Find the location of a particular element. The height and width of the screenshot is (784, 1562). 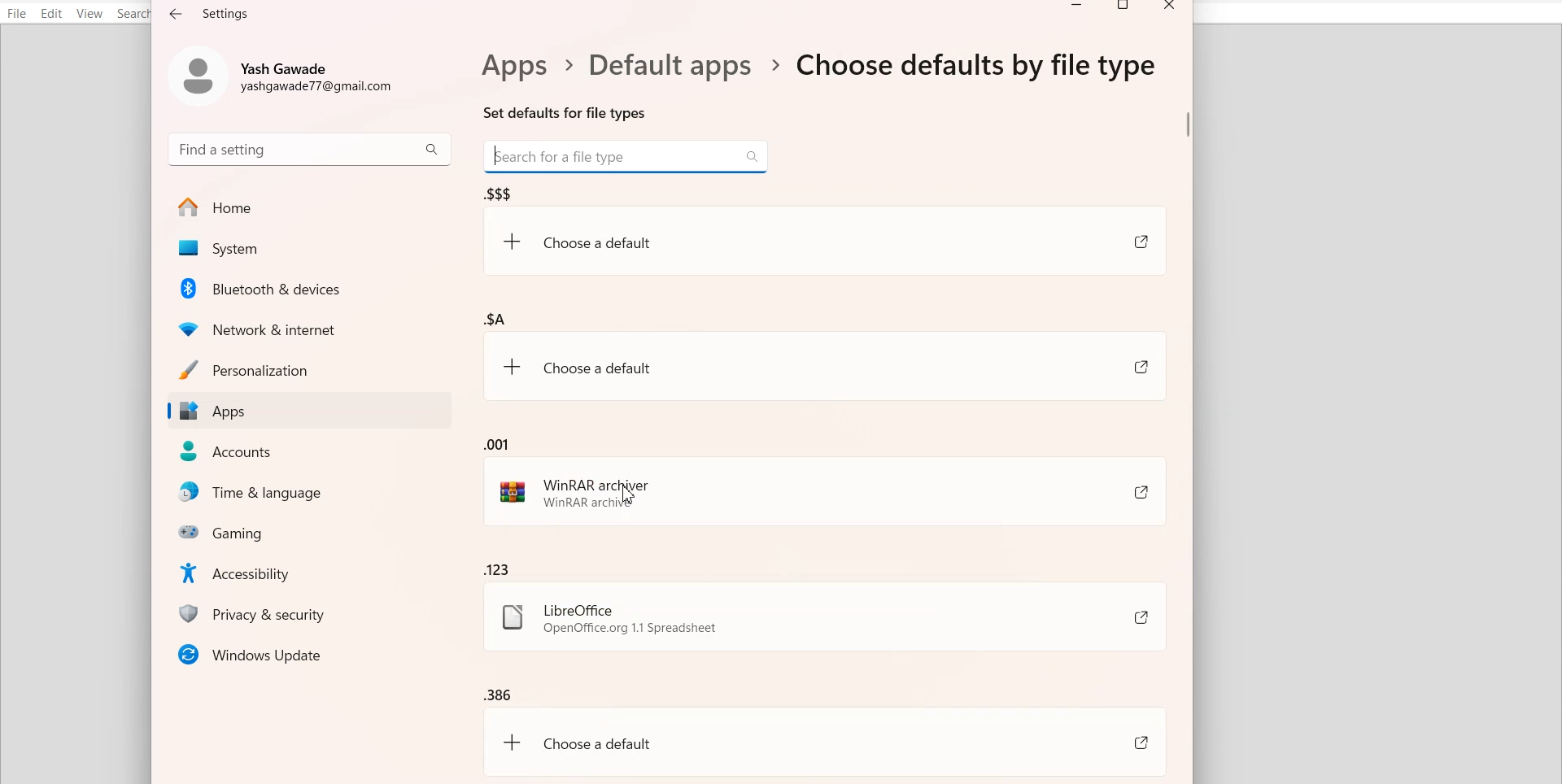

Time & Language is located at coordinates (314, 493).